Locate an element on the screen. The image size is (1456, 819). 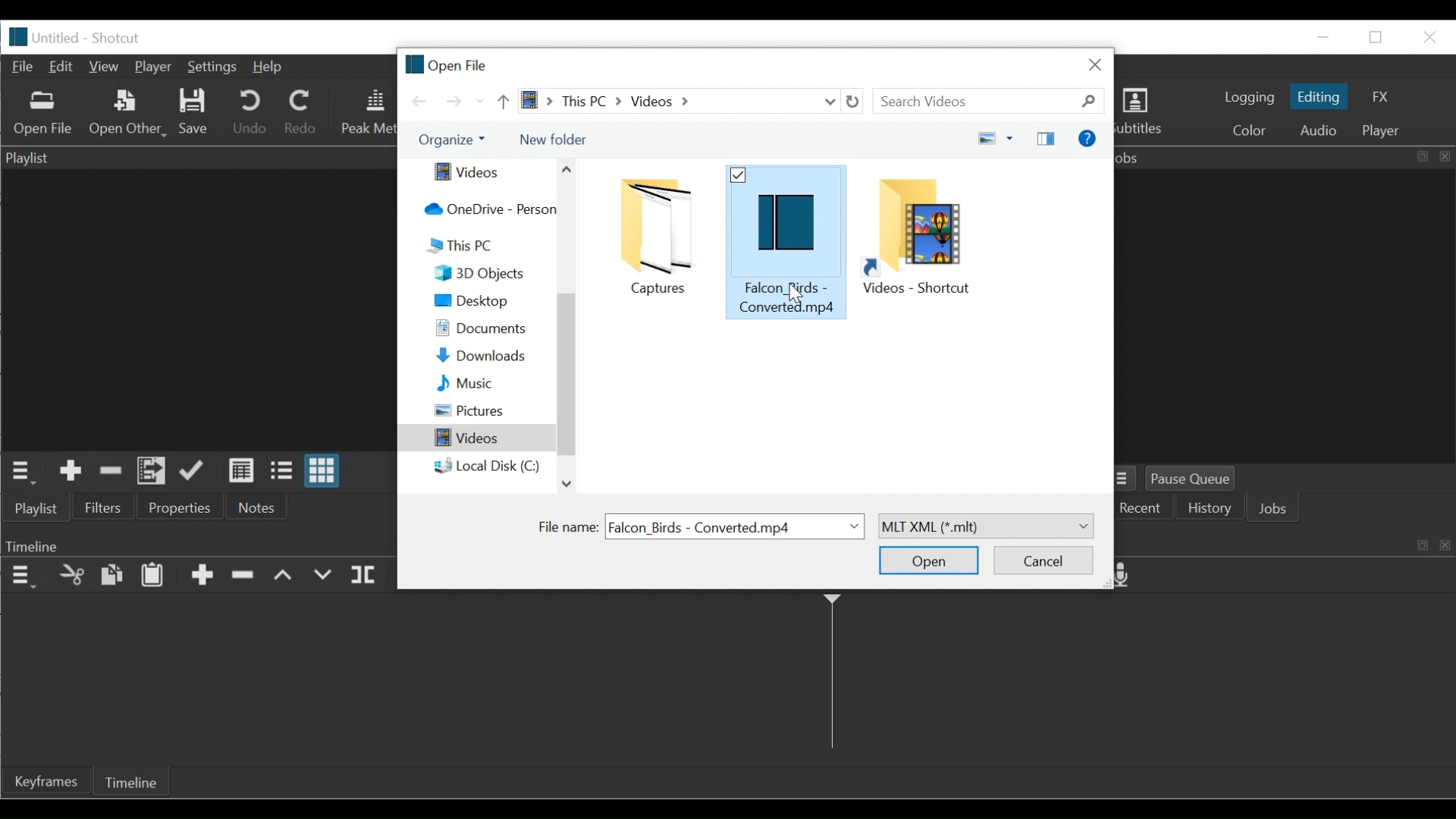
Edit is located at coordinates (64, 67).